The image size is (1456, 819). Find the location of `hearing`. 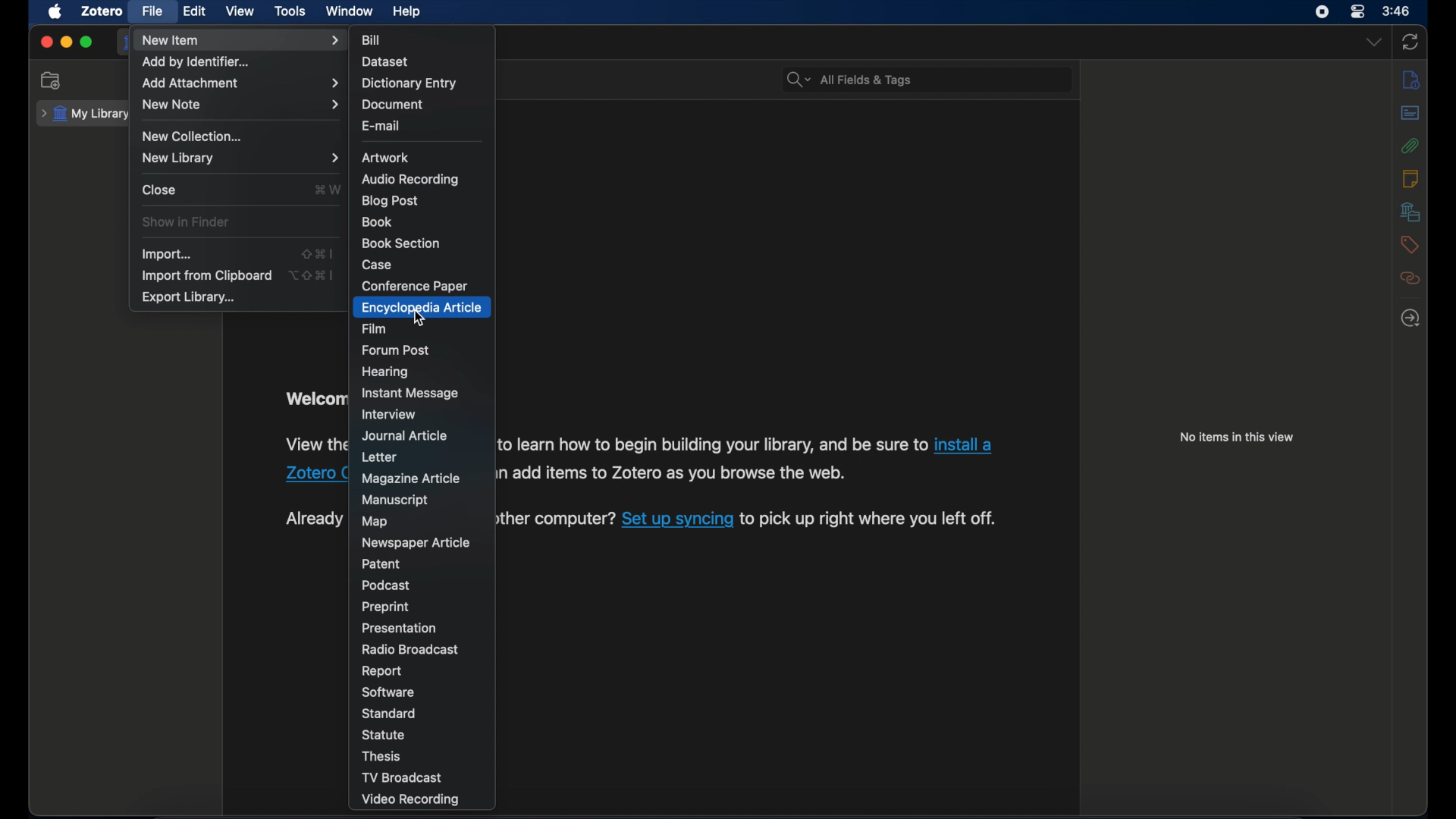

hearing is located at coordinates (388, 372).